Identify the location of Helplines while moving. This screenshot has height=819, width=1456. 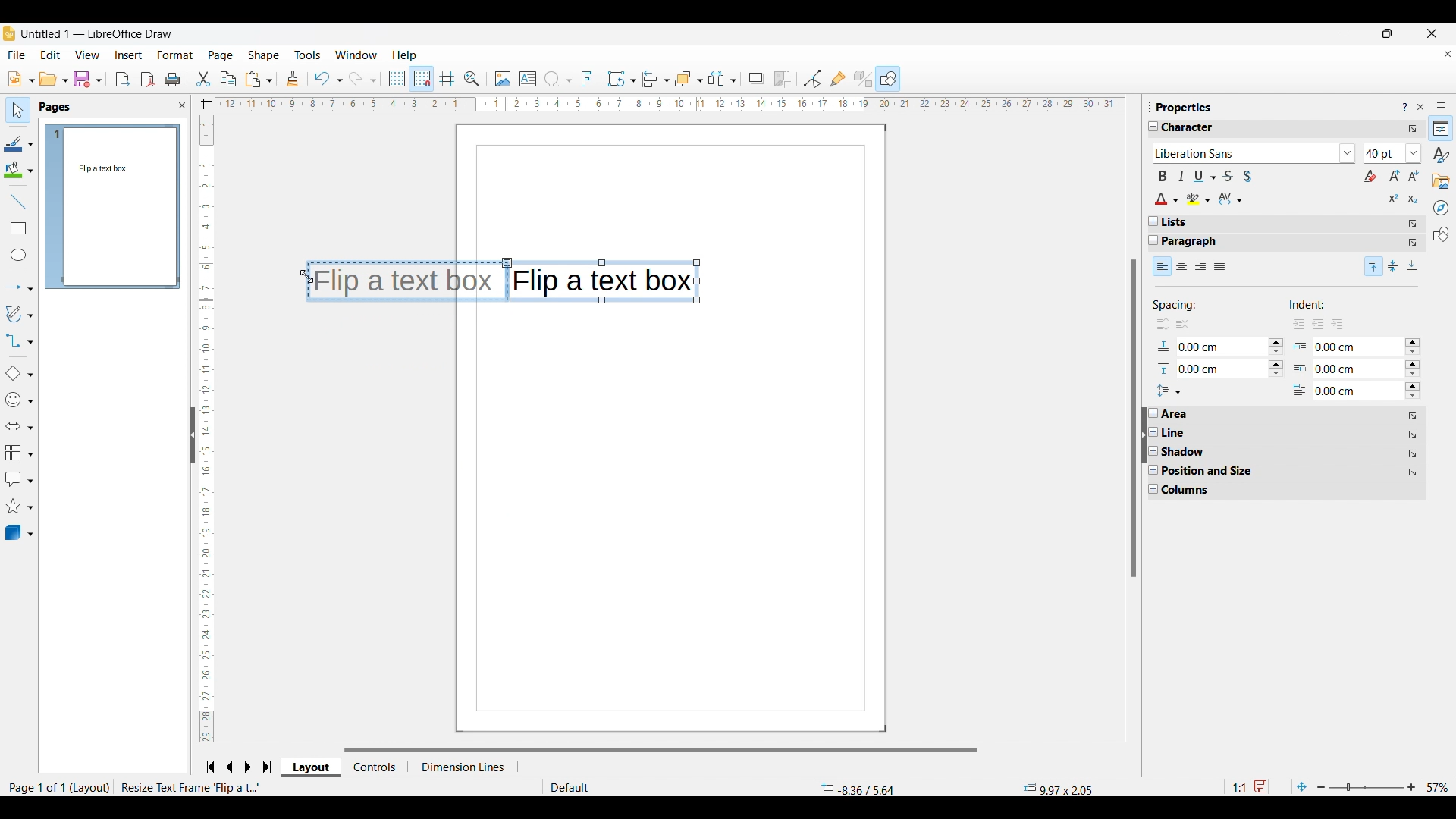
(447, 79).